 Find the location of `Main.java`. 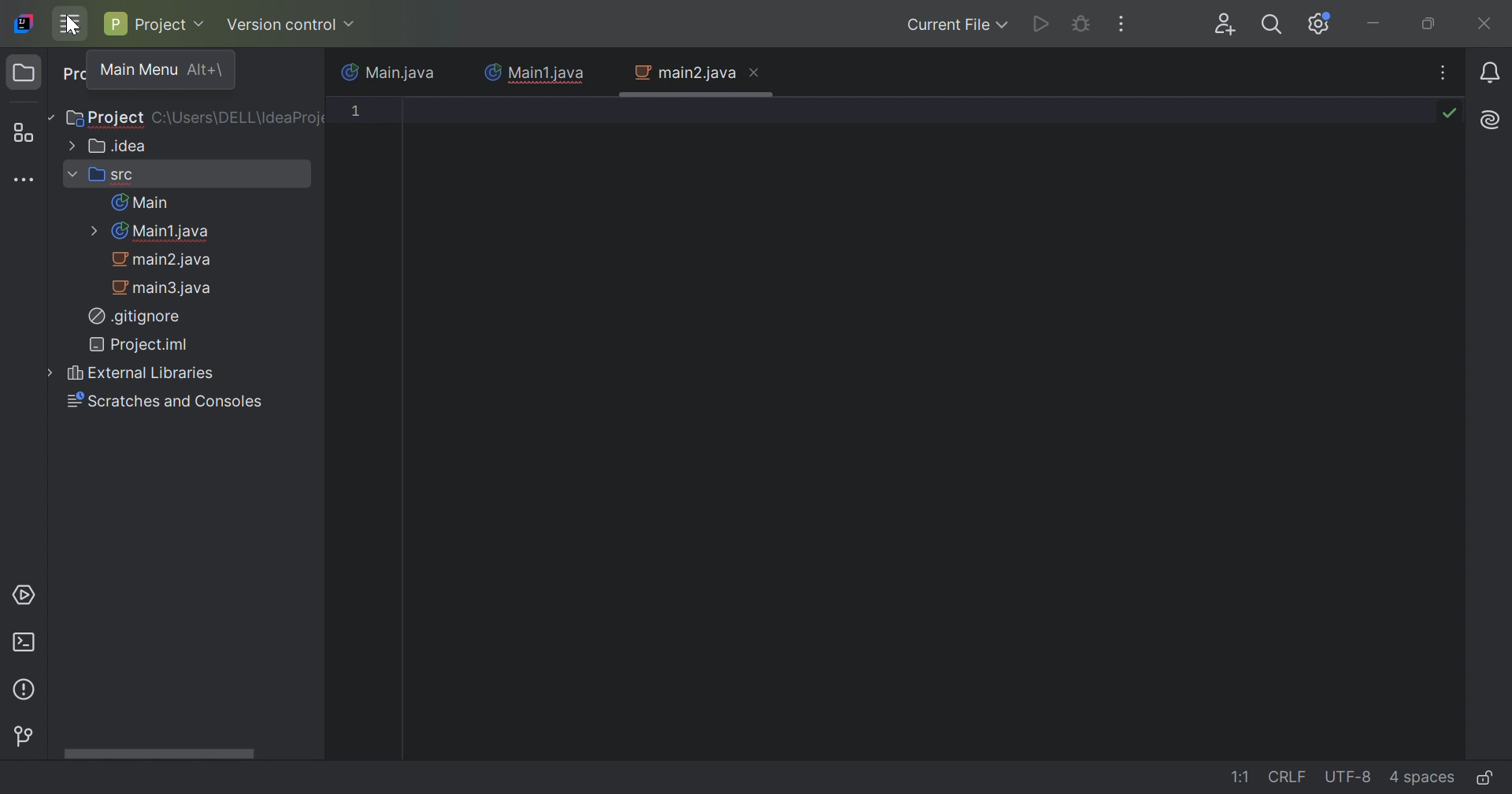

Main.java is located at coordinates (387, 70).